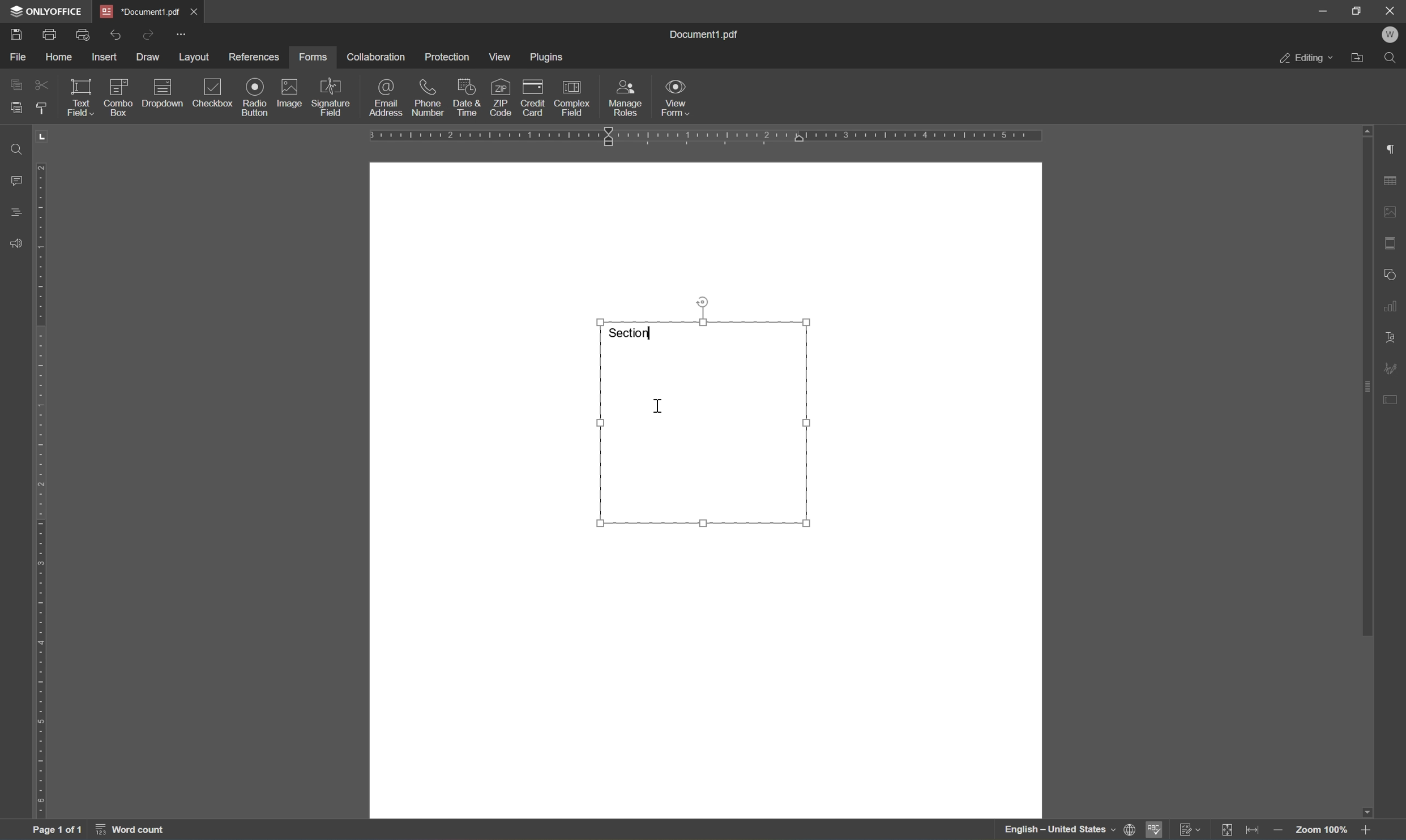 This screenshot has height=840, width=1406. Describe the element at coordinates (503, 57) in the screenshot. I see `view` at that location.